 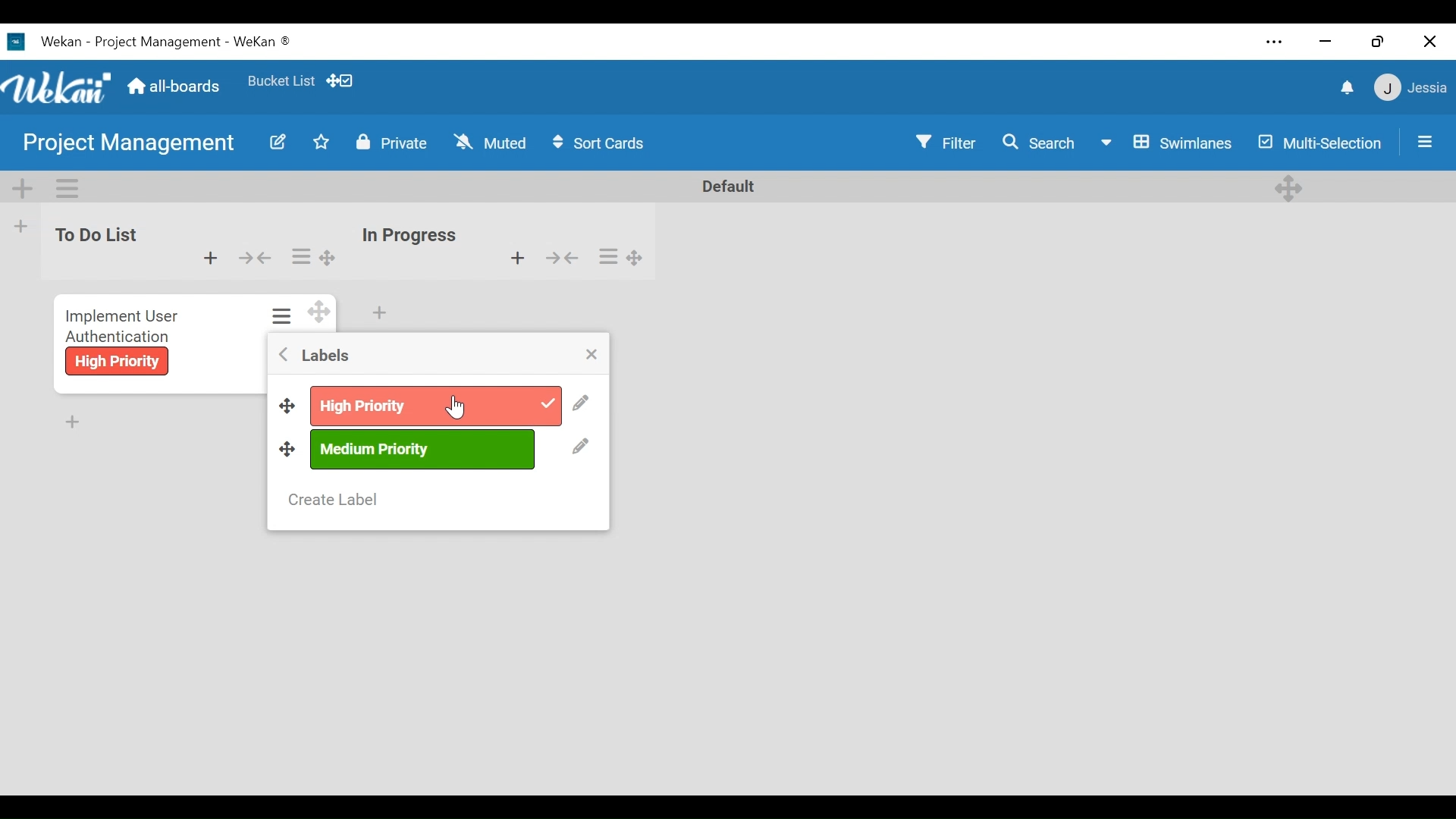 I want to click on Create Label, so click(x=332, y=500).